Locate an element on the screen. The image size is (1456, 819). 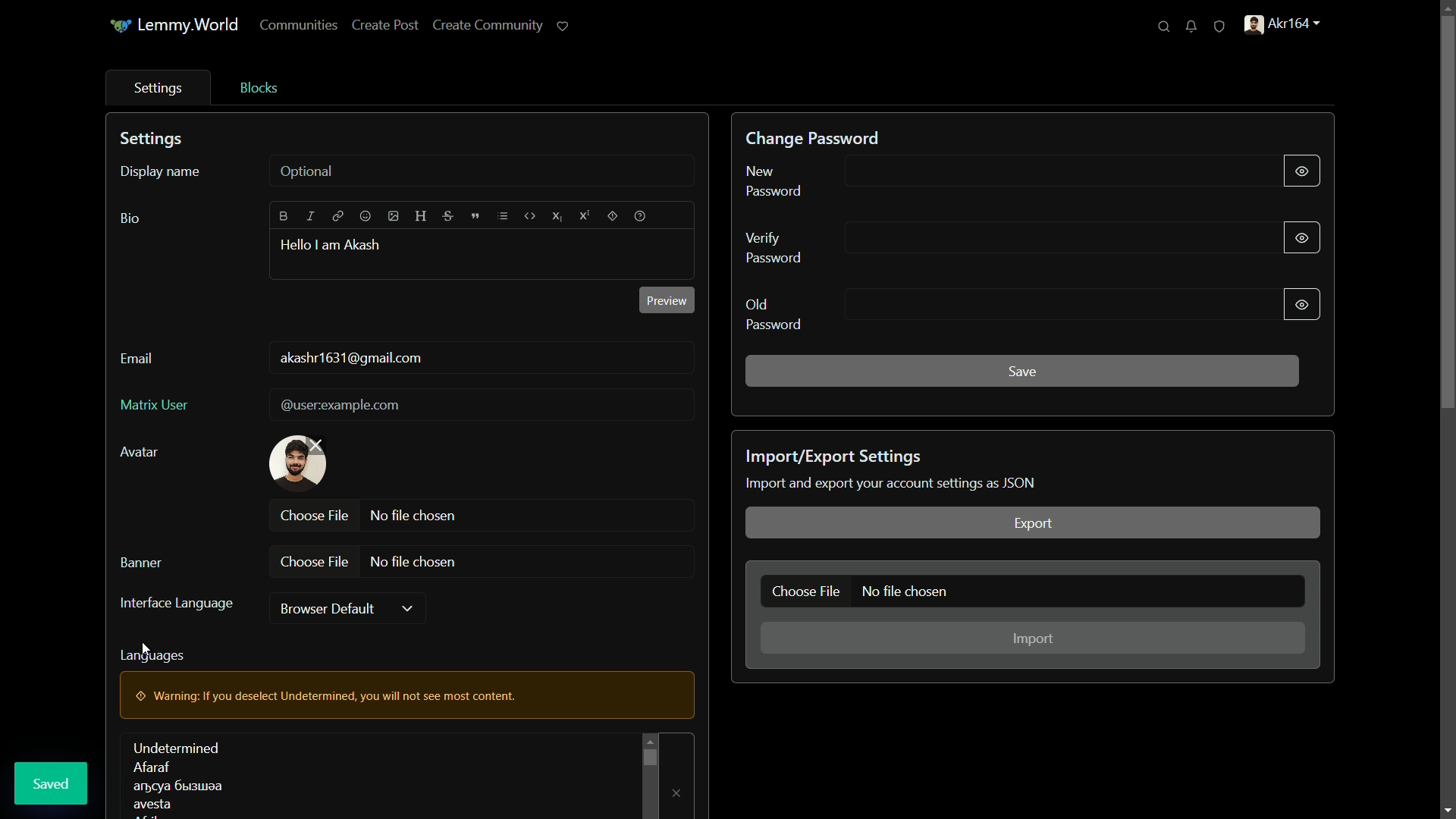
banner is located at coordinates (140, 563).